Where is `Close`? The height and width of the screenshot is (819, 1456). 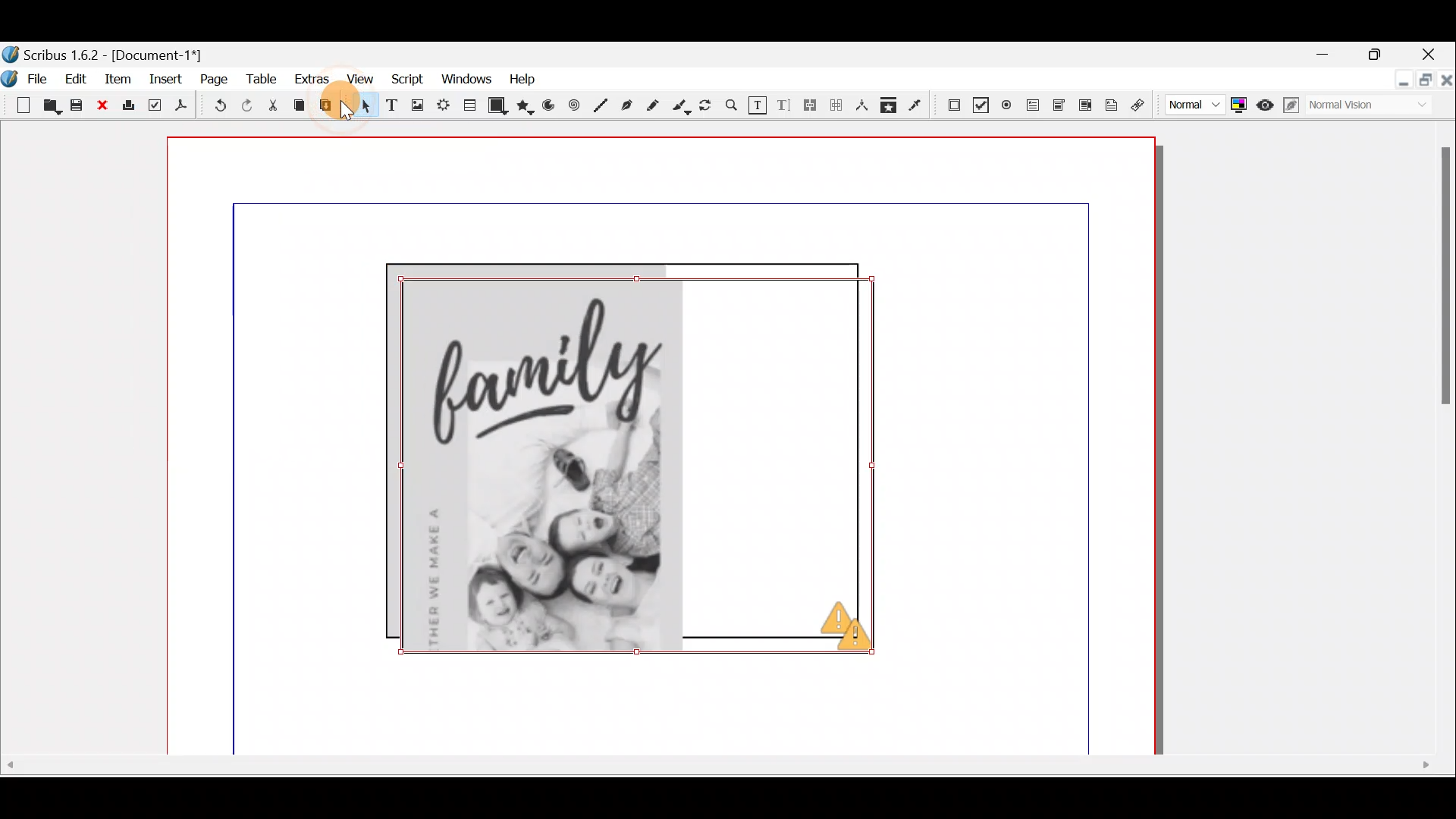 Close is located at coordinates (1445, 88).